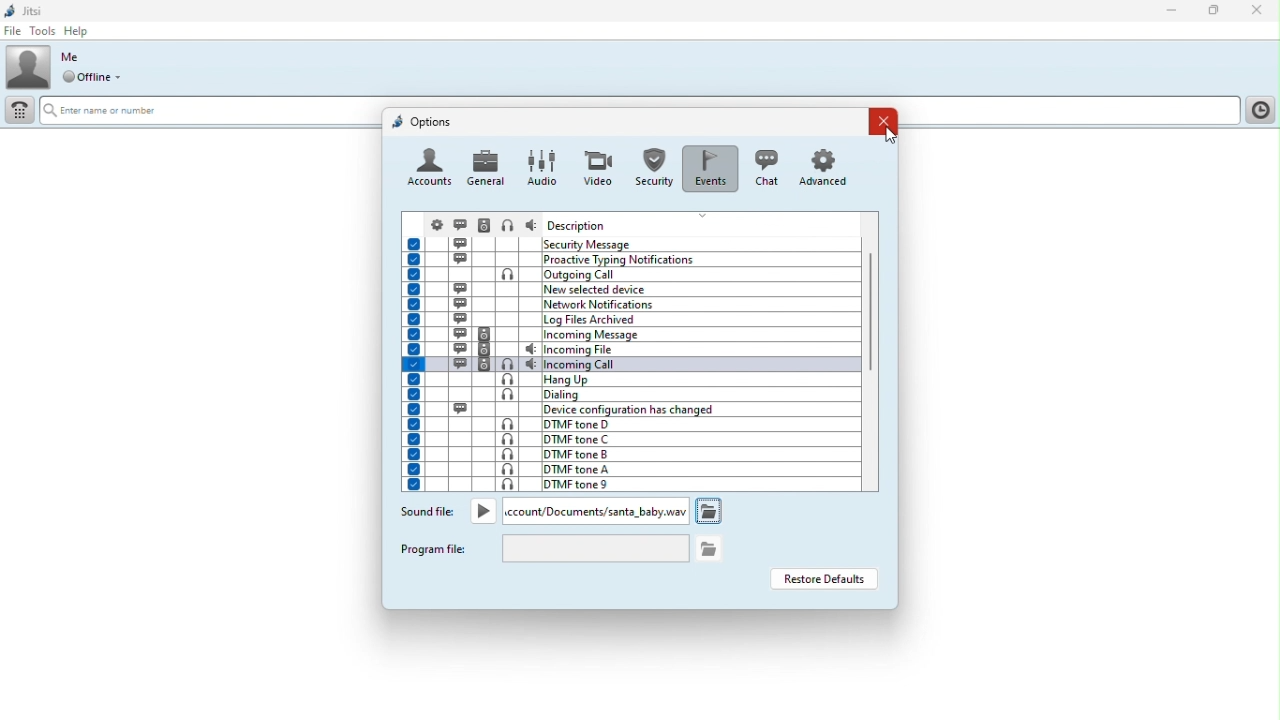 Image resolution: width=1280 pixels, height=720 pixels. I want to click on Events and description, so click(632, 243).